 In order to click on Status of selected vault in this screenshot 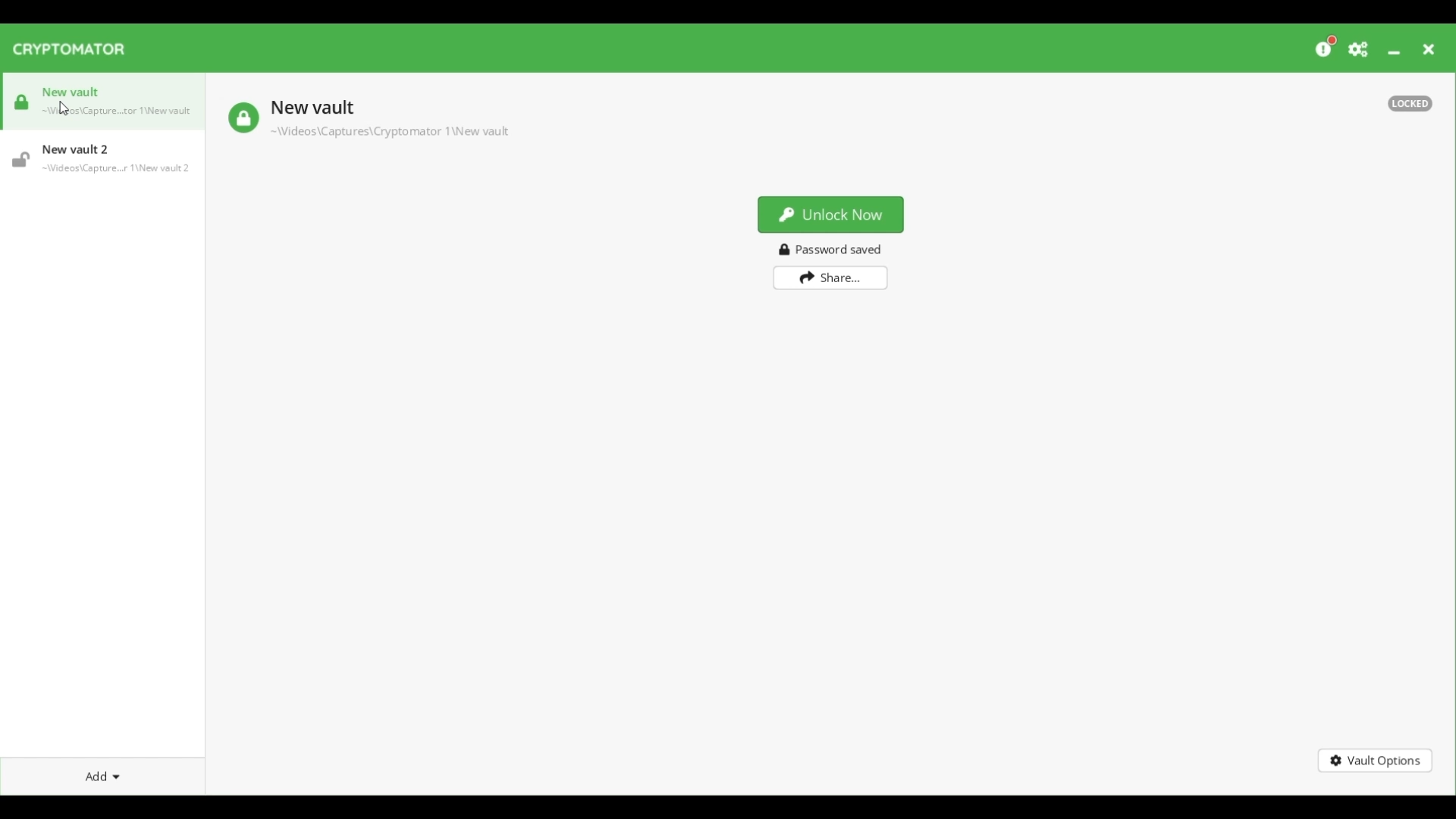, I will do `click(1410, 103)`.